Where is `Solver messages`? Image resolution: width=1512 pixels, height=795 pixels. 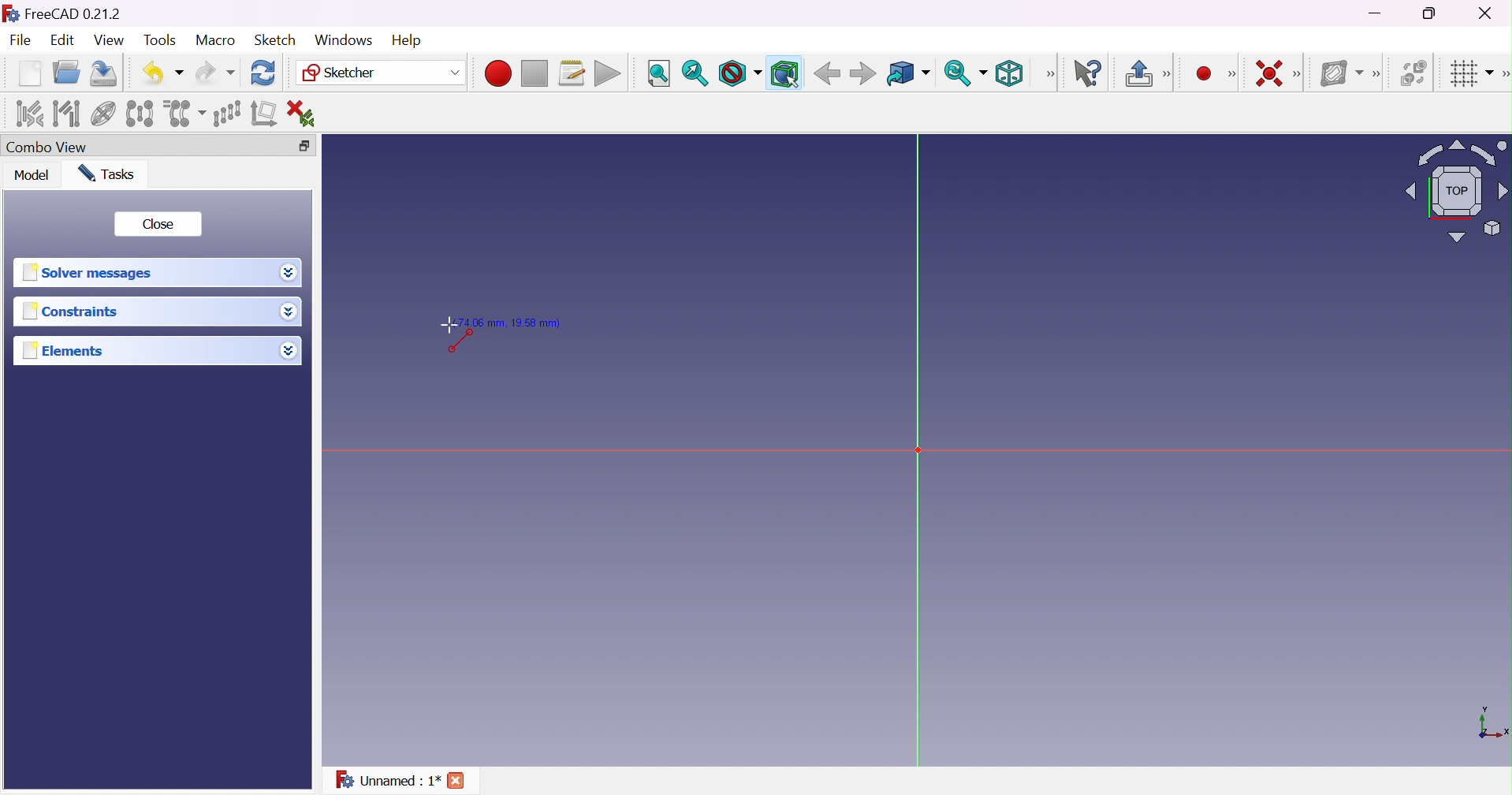 Solver messages is located at coordinates (92, 272).